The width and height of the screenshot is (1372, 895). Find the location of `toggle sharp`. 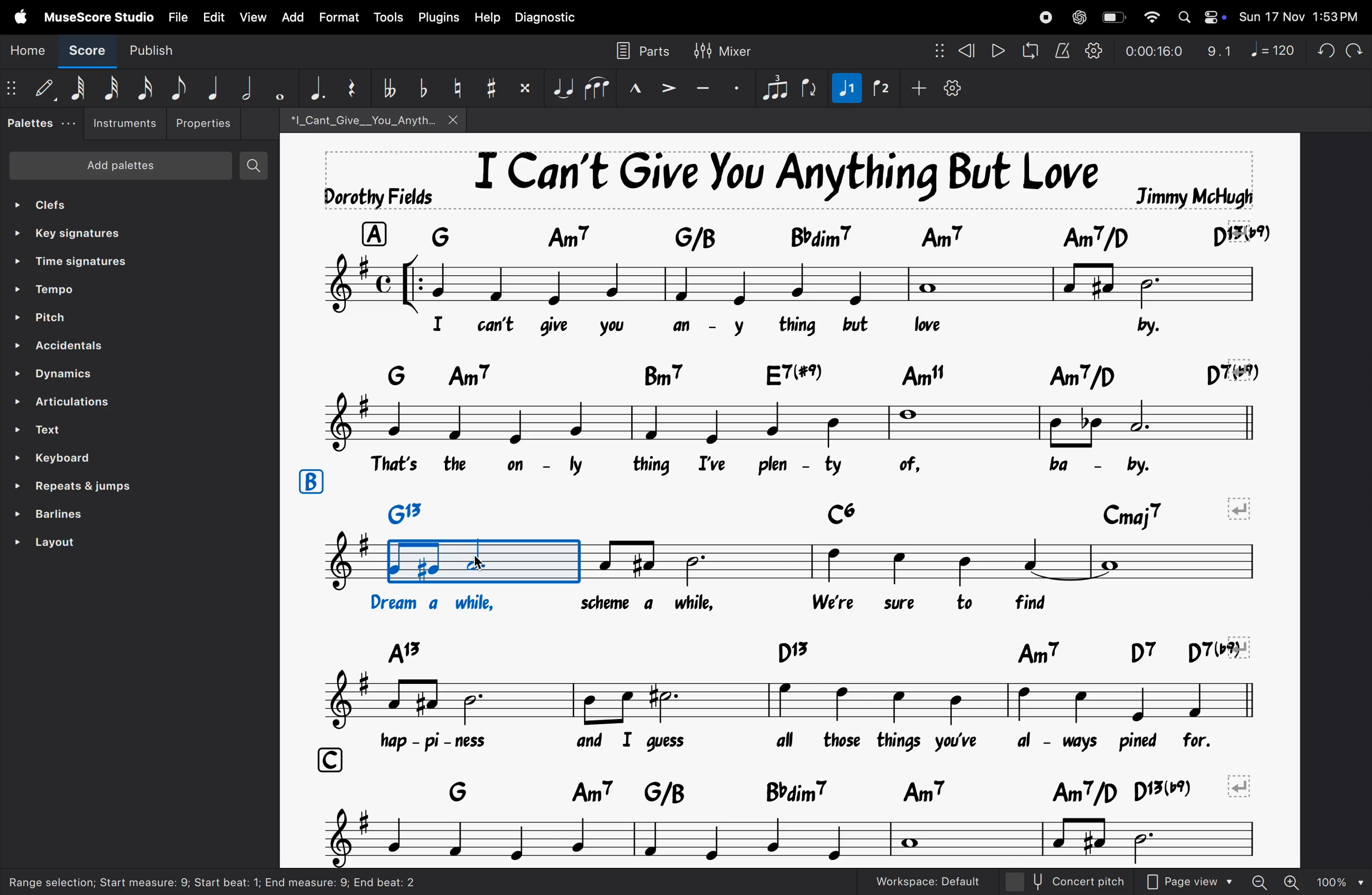

toggle sharp is located at coordinates (489, 88).